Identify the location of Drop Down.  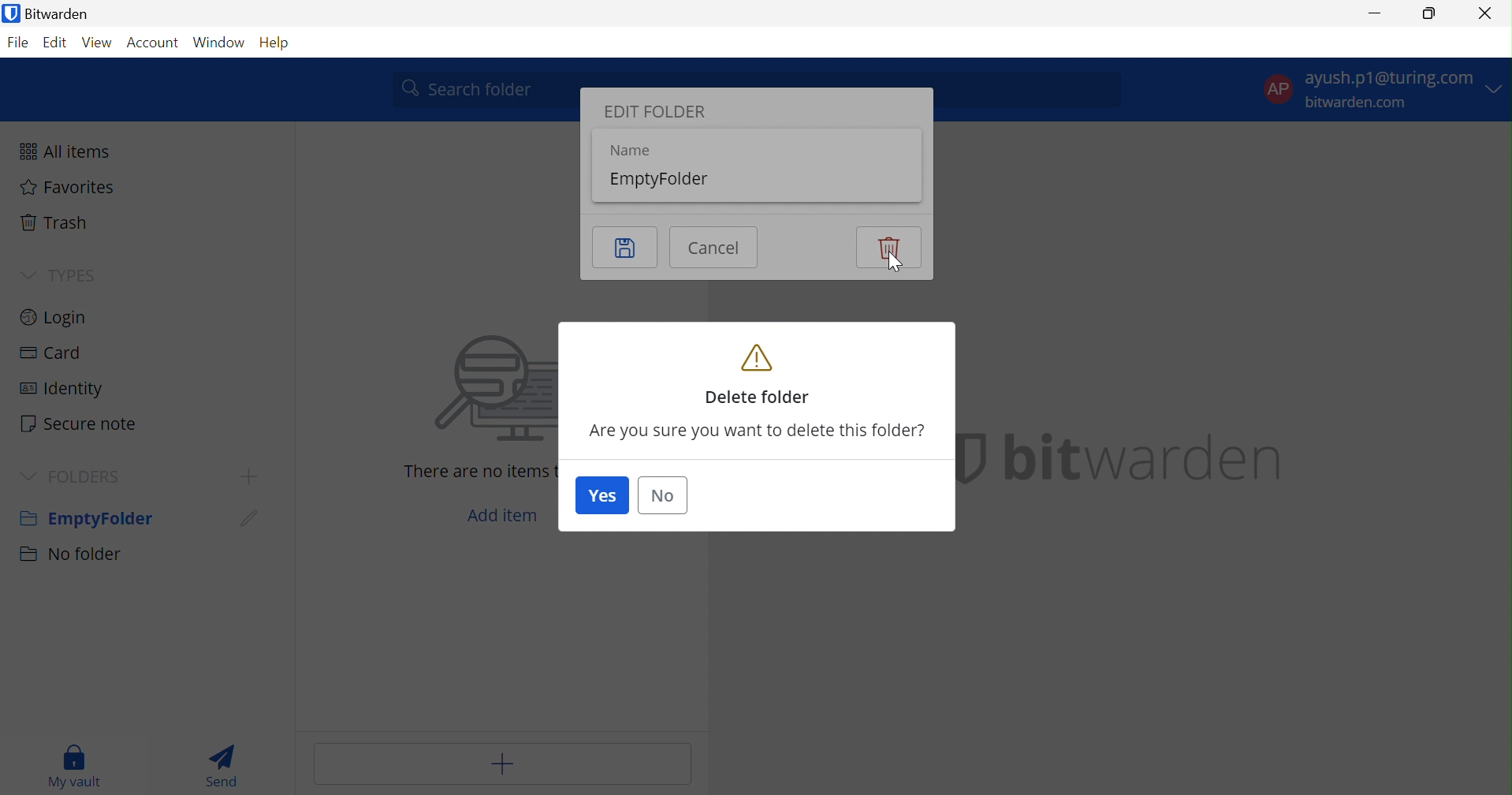
(30, 478).